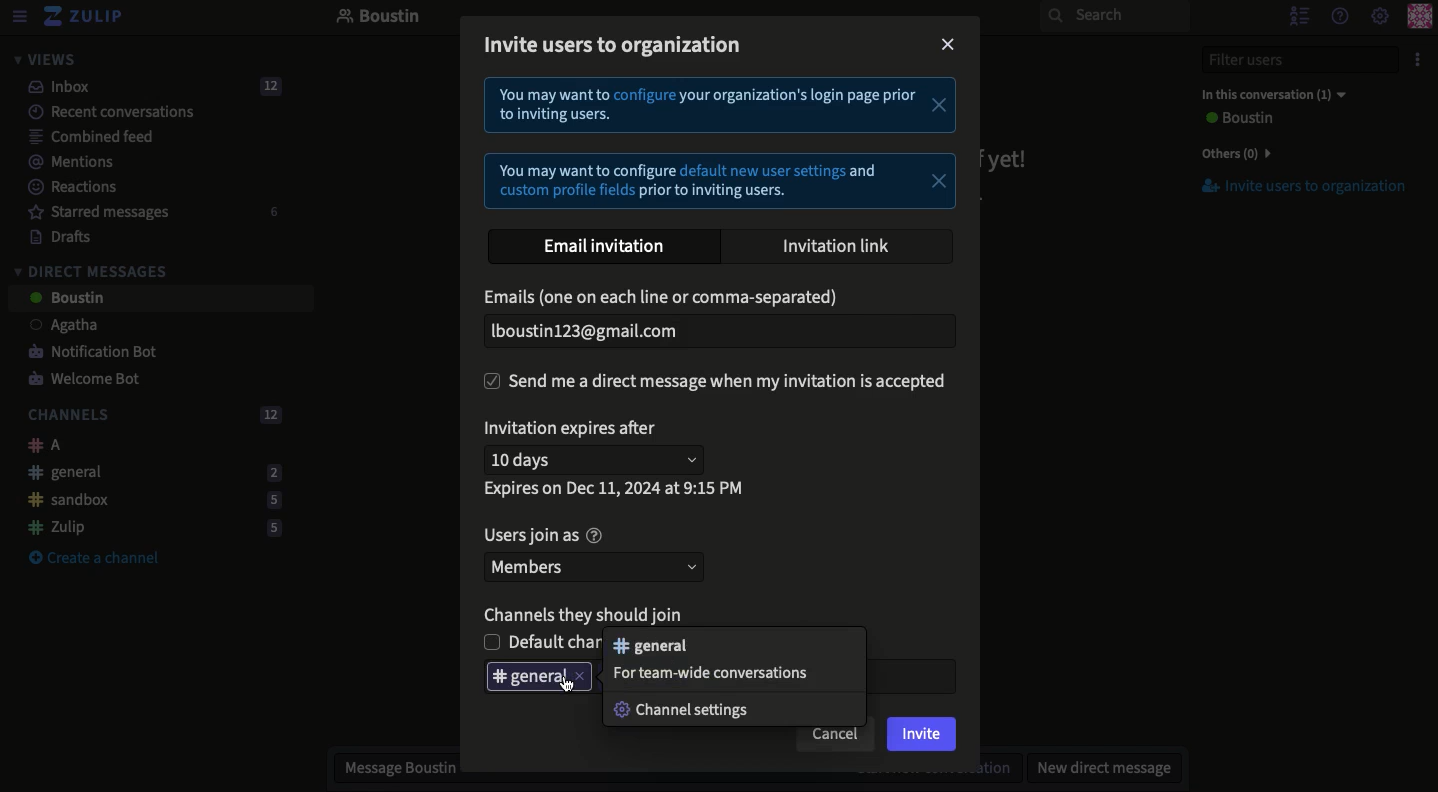 This screenshot has width=1438, height=792. Describe the element at coordinates (149, 471) in the screenshot. I see `General ` at that location.